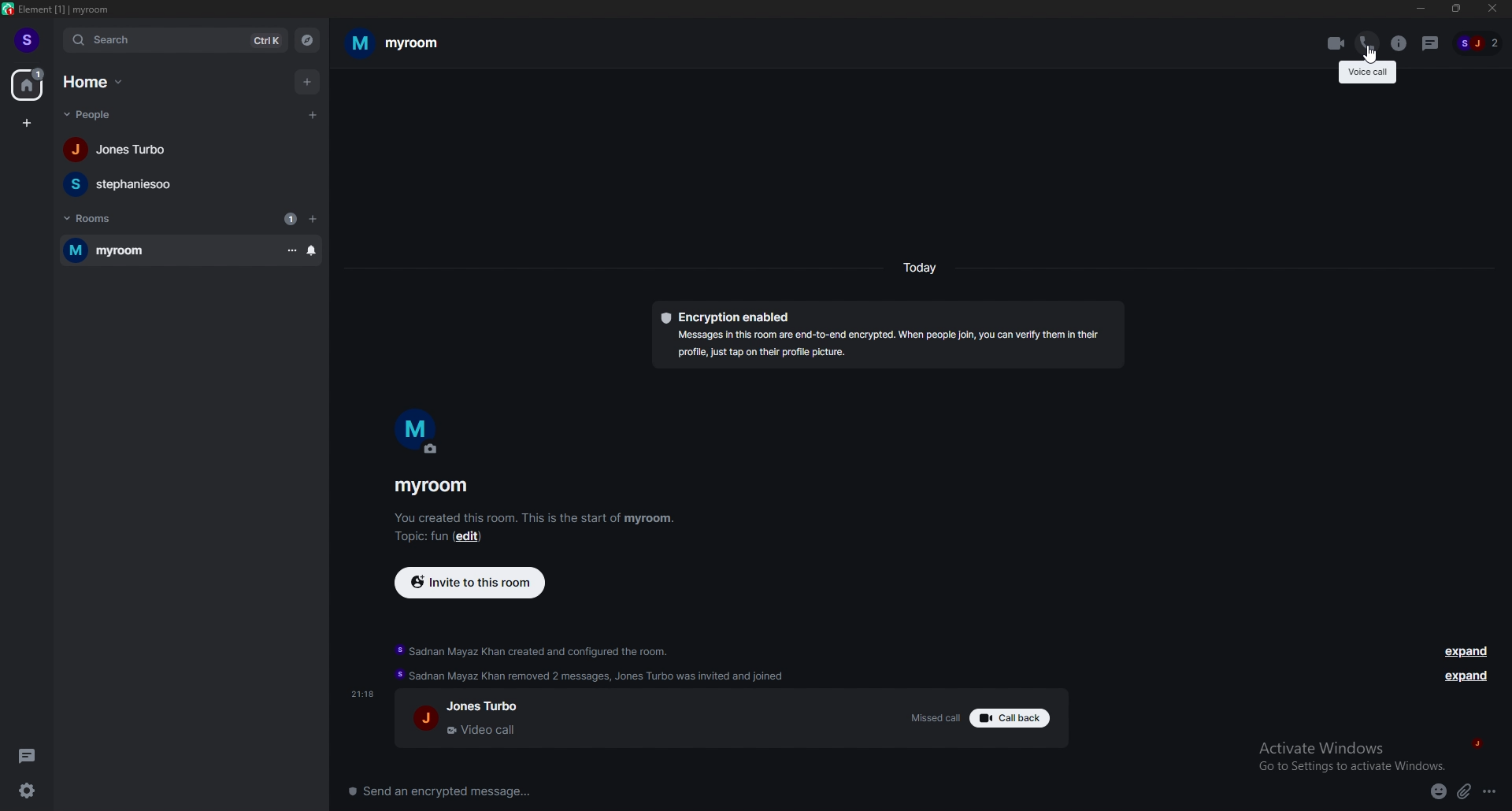 This screenshot has height=811, width=1512. Describe the element at coordinates (608, 663) in the screenshot. I see `'® Sadnan Mayaz Khan created and configured the room.
'® Sadnan Mayaz Khan removed 2 messages, Jones Turbo was invited and joined` at that location.